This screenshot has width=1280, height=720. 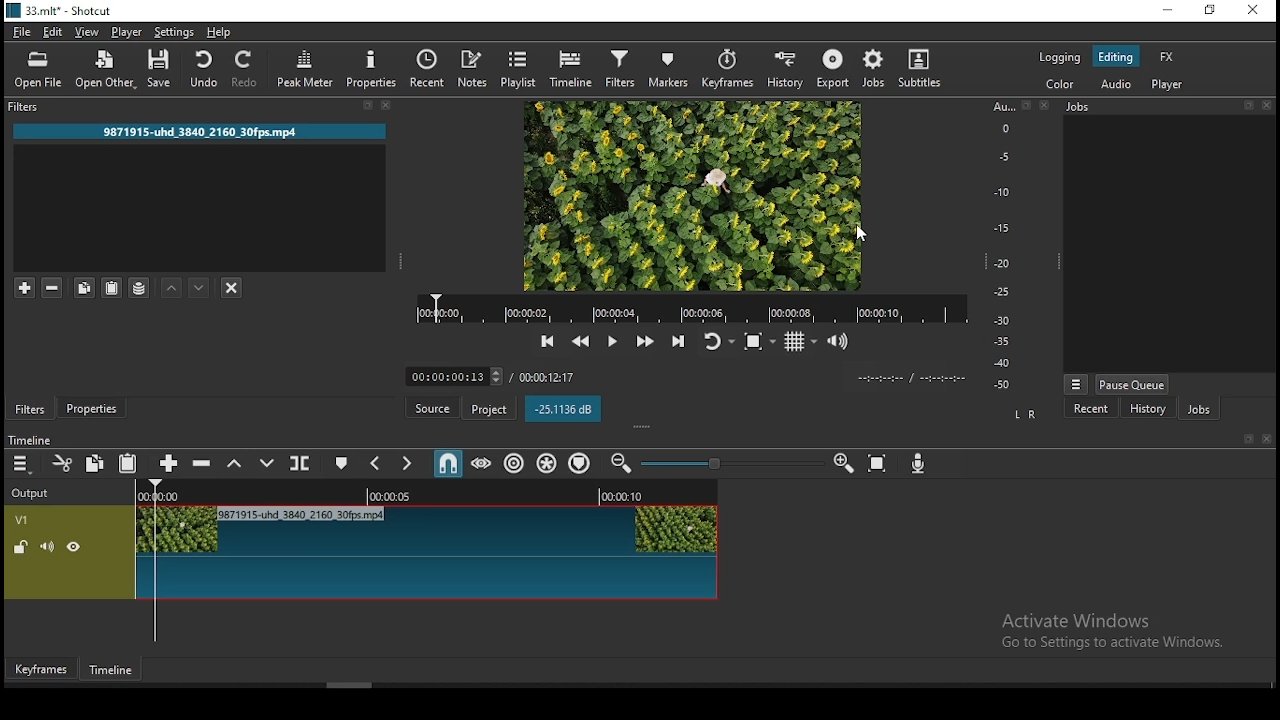 I want to click on toggle zoom, so click(x=758, y=344).